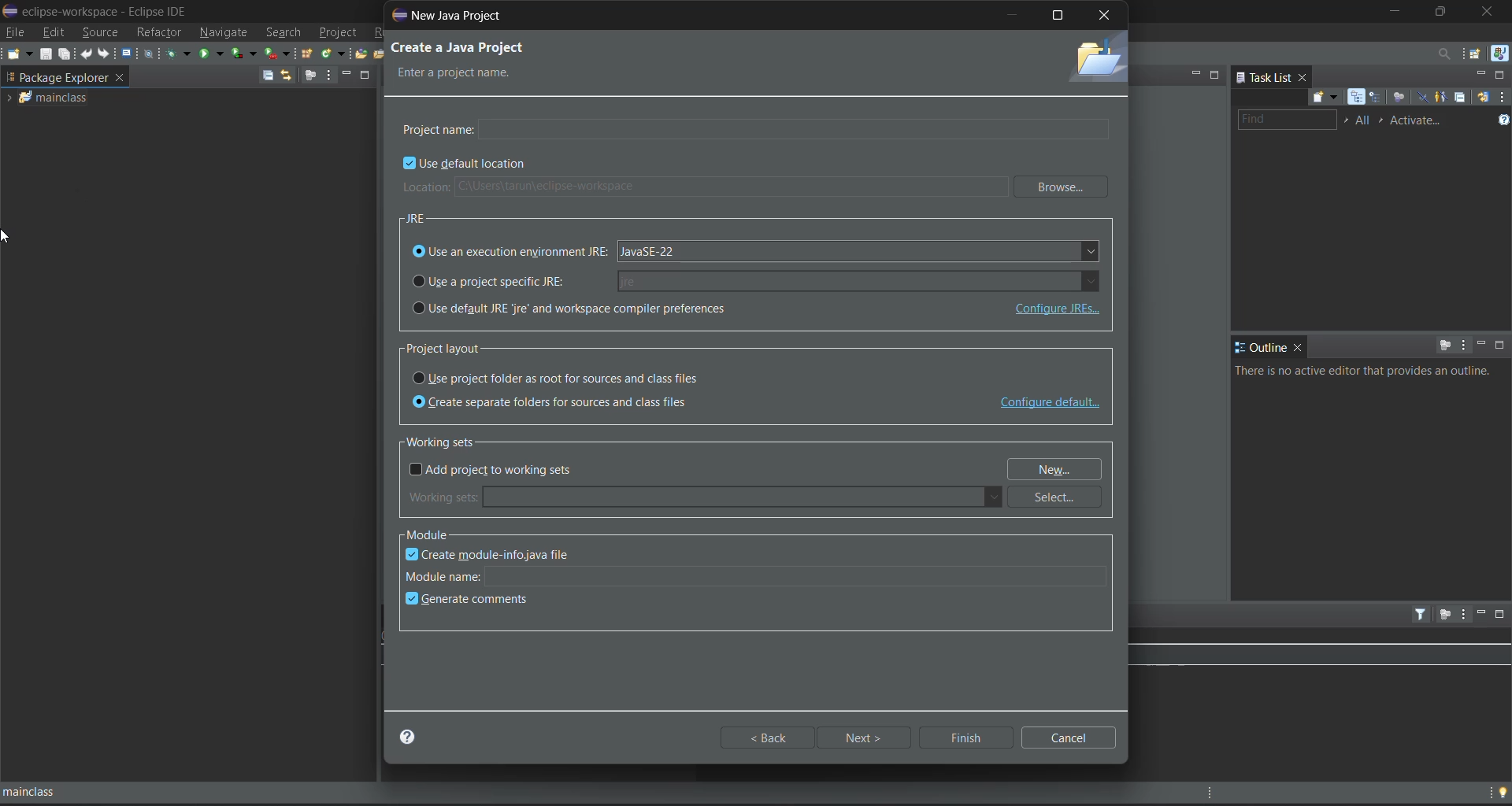  What do you see at coordinates (1059, 469) in the screenshot?
I see `new` at bounding box center [1059, 469].